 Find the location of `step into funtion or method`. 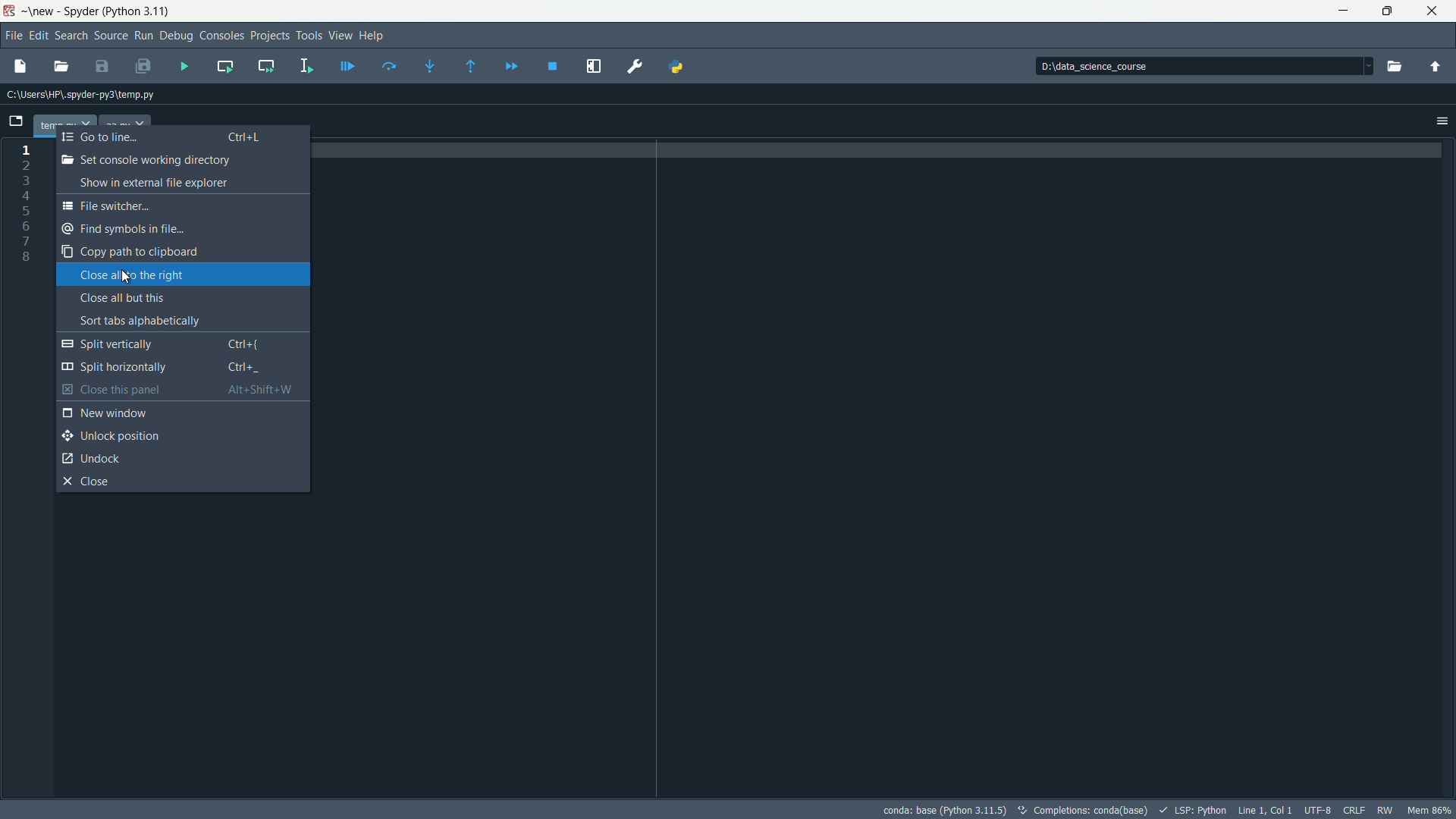

step into funtion or method is located at coordinates (436, 66).